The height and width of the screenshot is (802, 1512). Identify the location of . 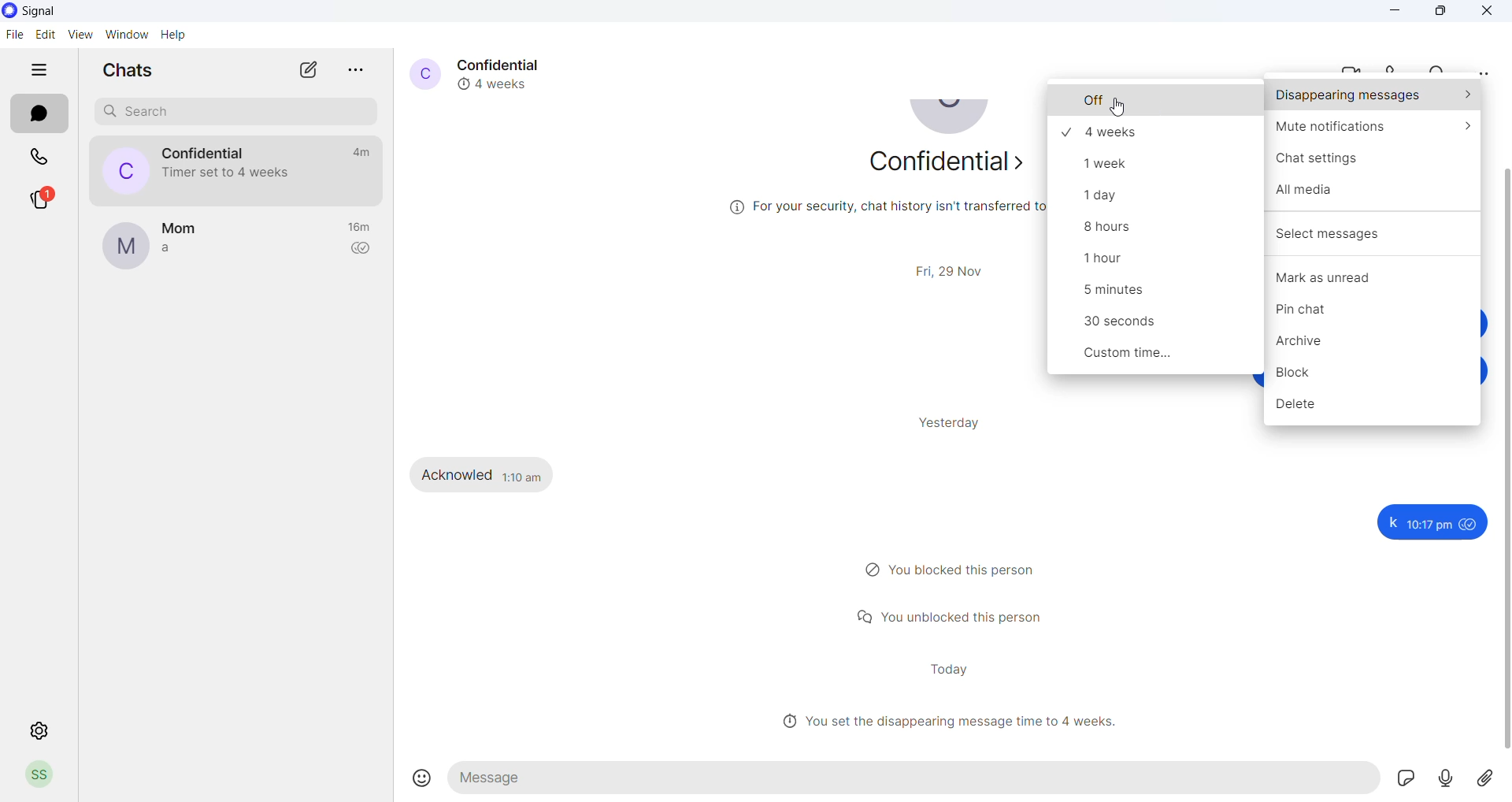
(1429, 522).